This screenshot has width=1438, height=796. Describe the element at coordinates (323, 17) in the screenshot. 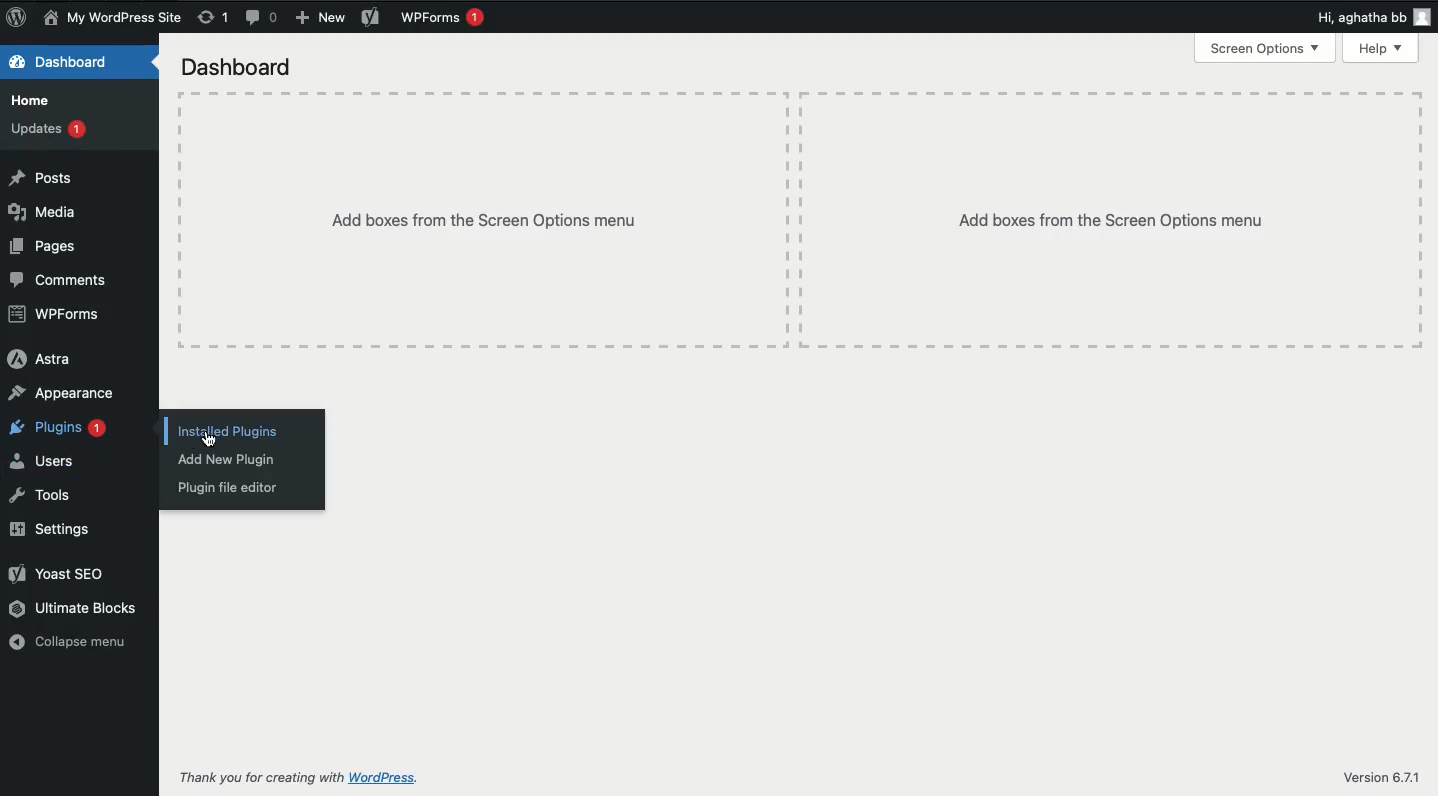

I see `New` at that location.